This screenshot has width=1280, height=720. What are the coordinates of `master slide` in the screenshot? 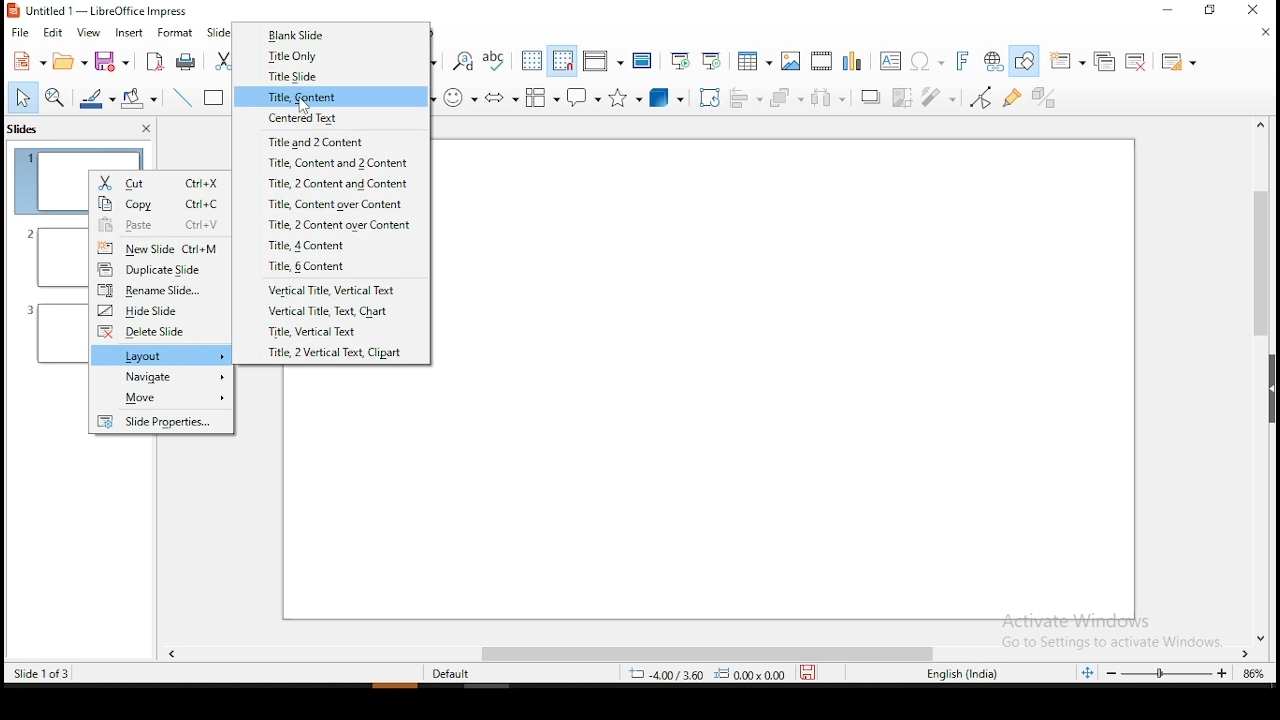 It's located at (643, 62).